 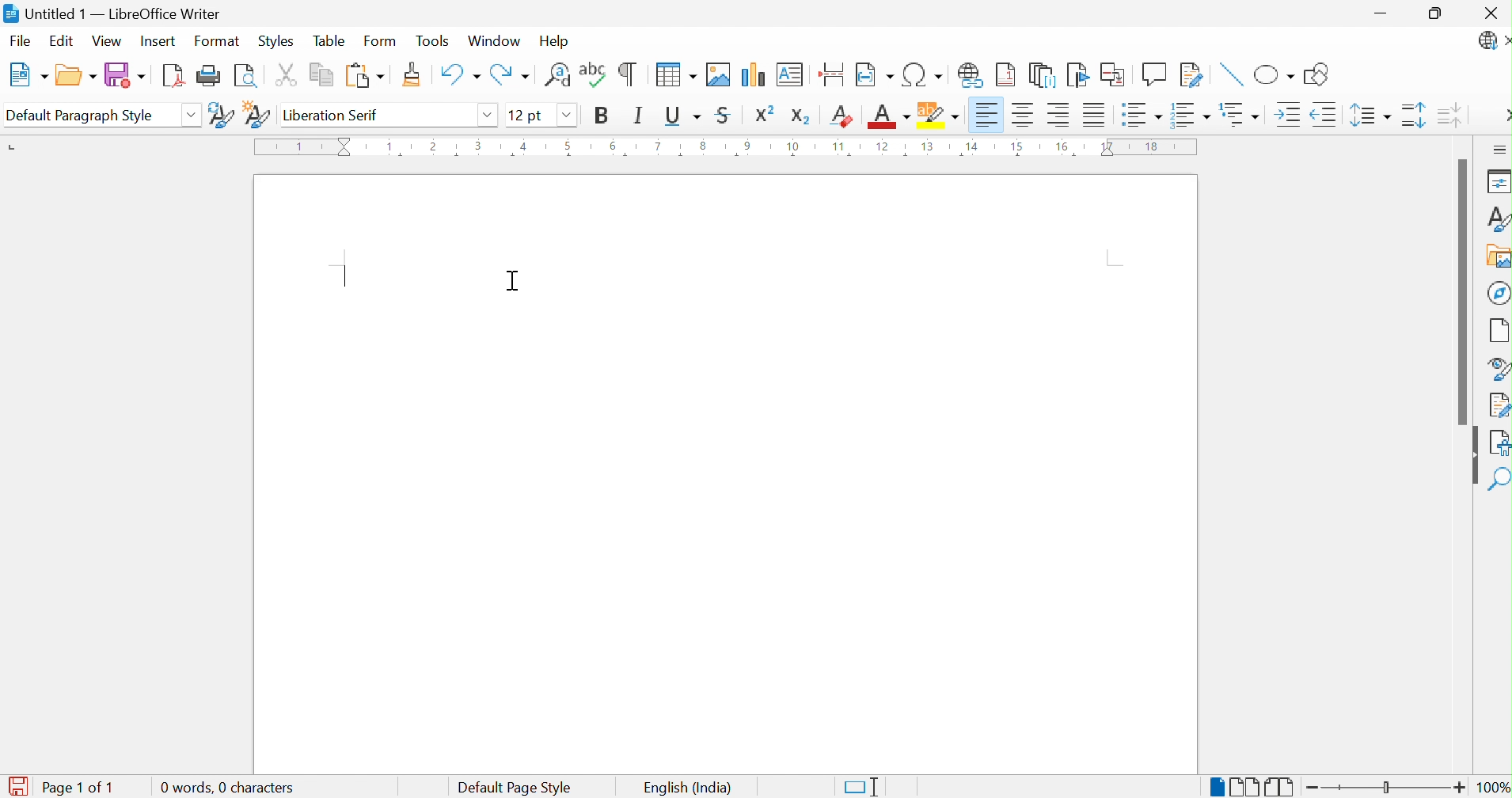 I want to click on Find, so click(x=1499, y=481).